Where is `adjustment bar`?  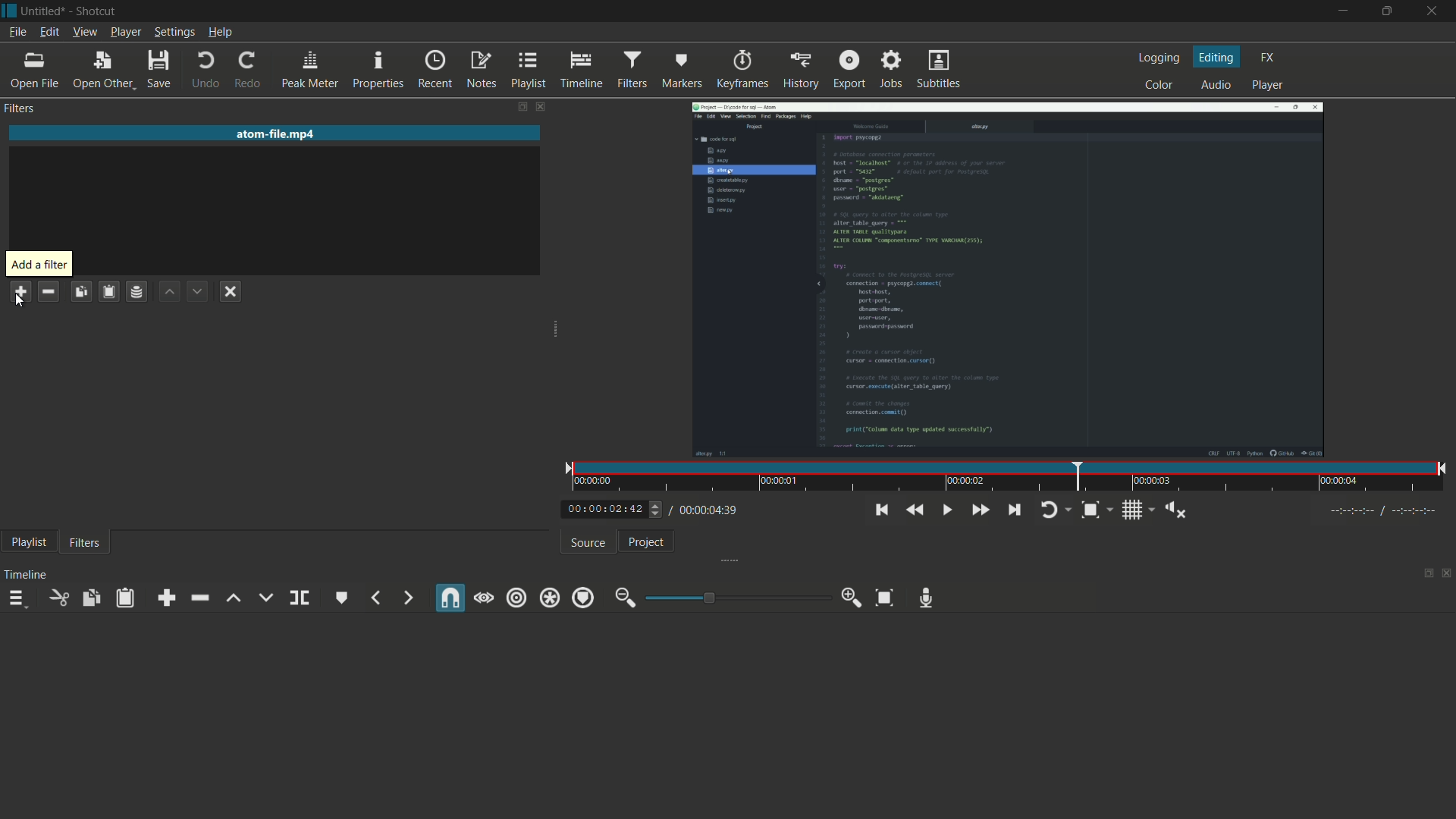
adjustment bar is located at coordinates (734, 598).